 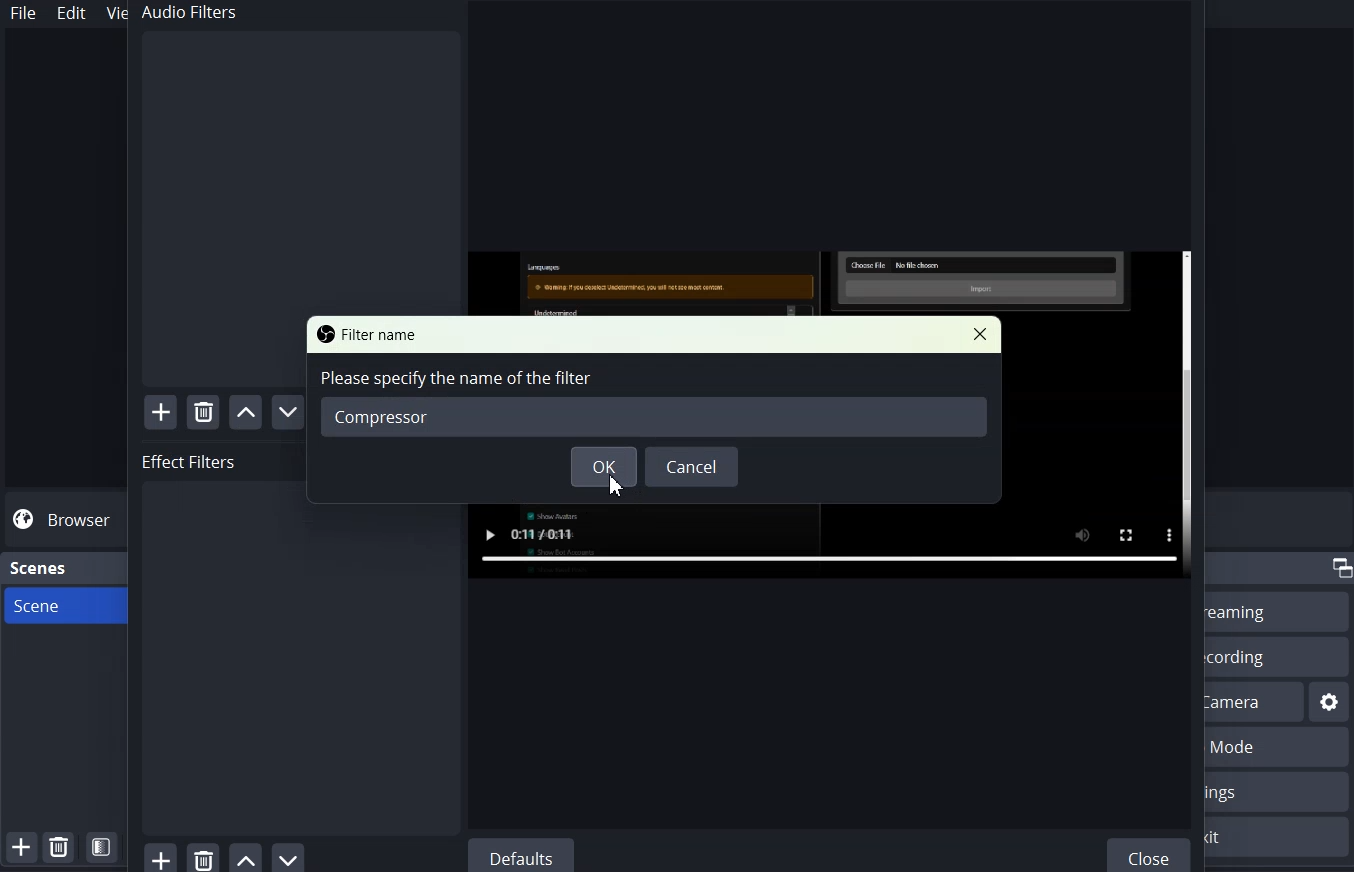 I want to click on Compressor, so click(x=654, y=416).